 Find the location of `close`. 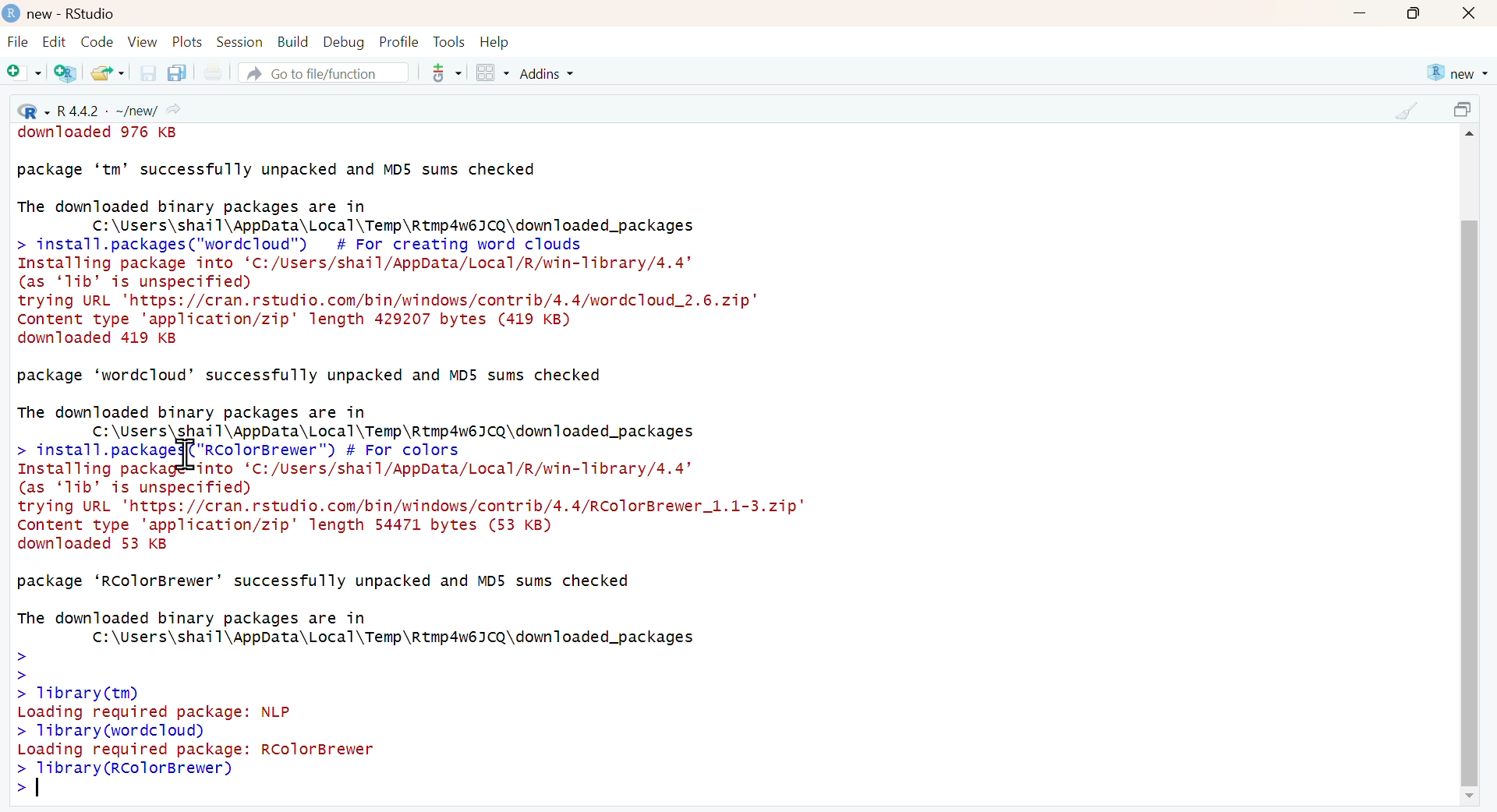

close is located at coordinates (1469, 14).